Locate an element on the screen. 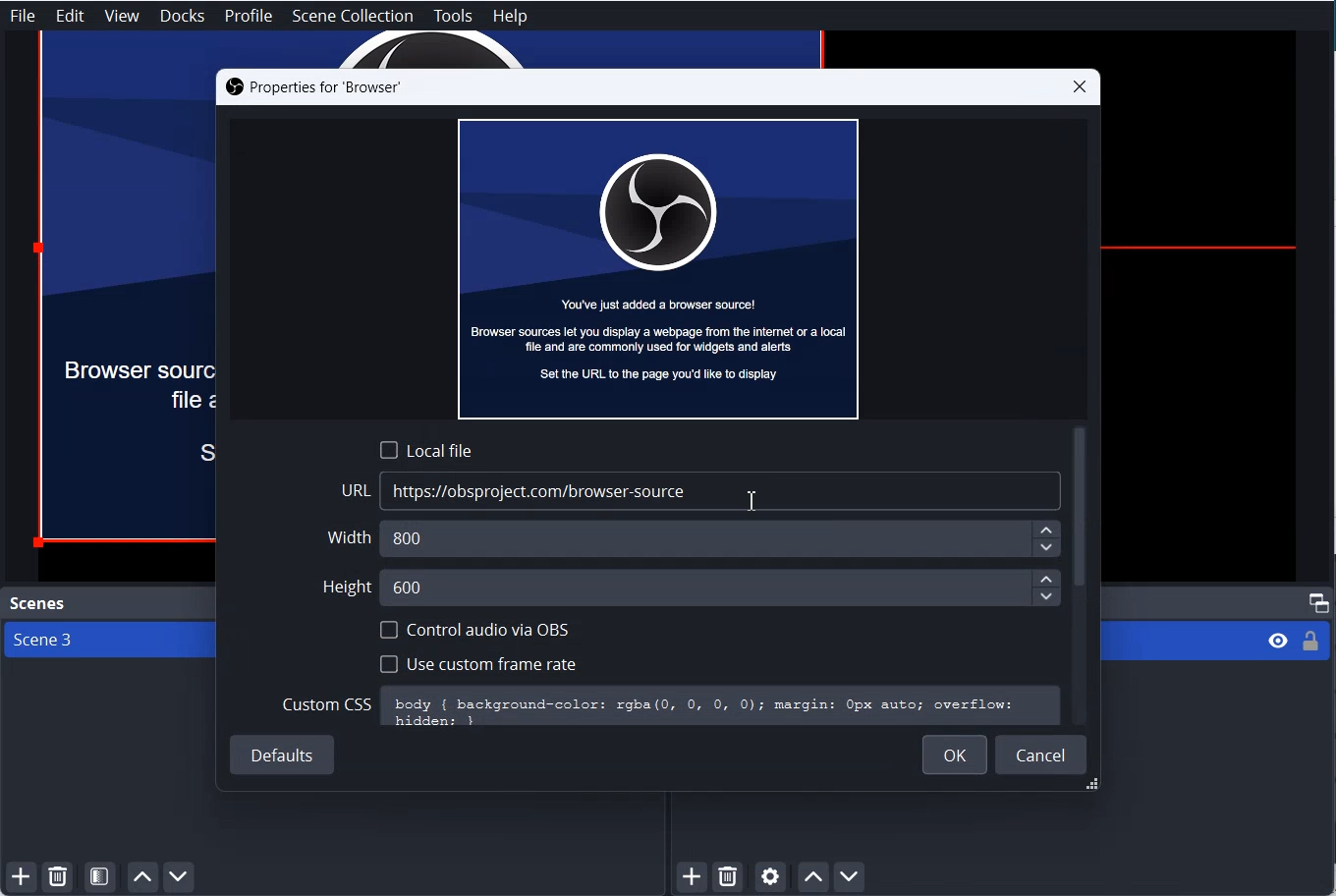 The height and width of the screenshot is (896, 1336). Move Source up is located at coordinates (812, 876).